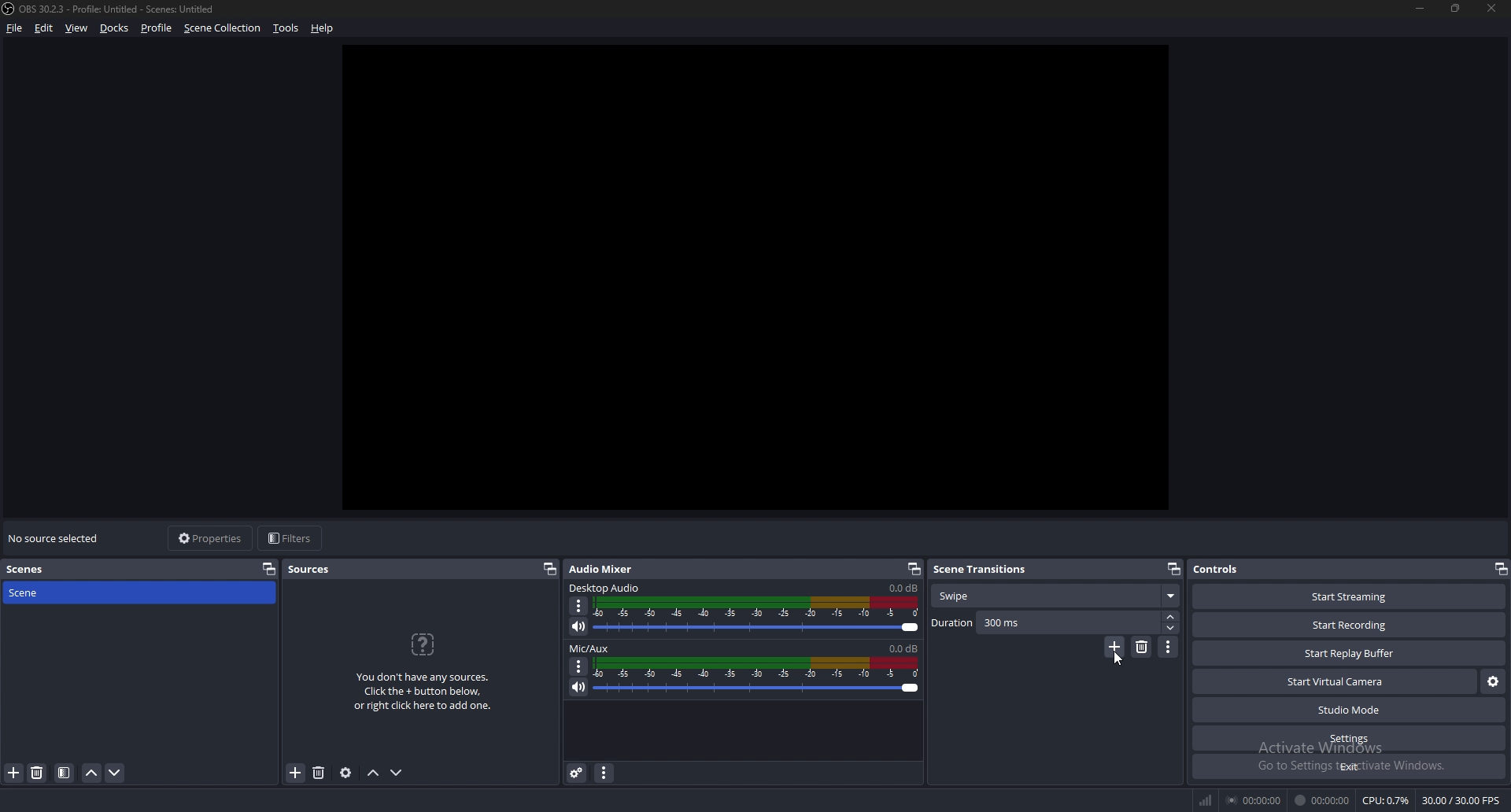  I want to click on remove scene, so click(39, 772).